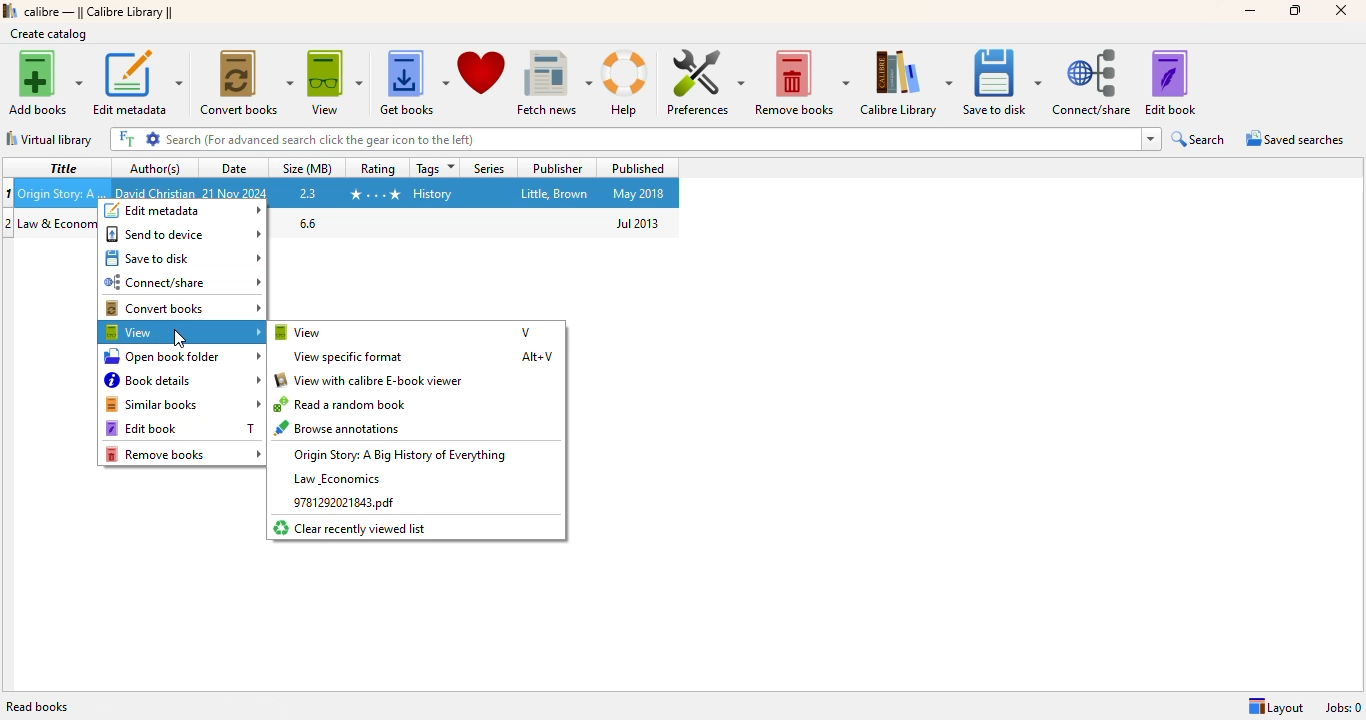  I want to click on calibre library, so click(100, 12).